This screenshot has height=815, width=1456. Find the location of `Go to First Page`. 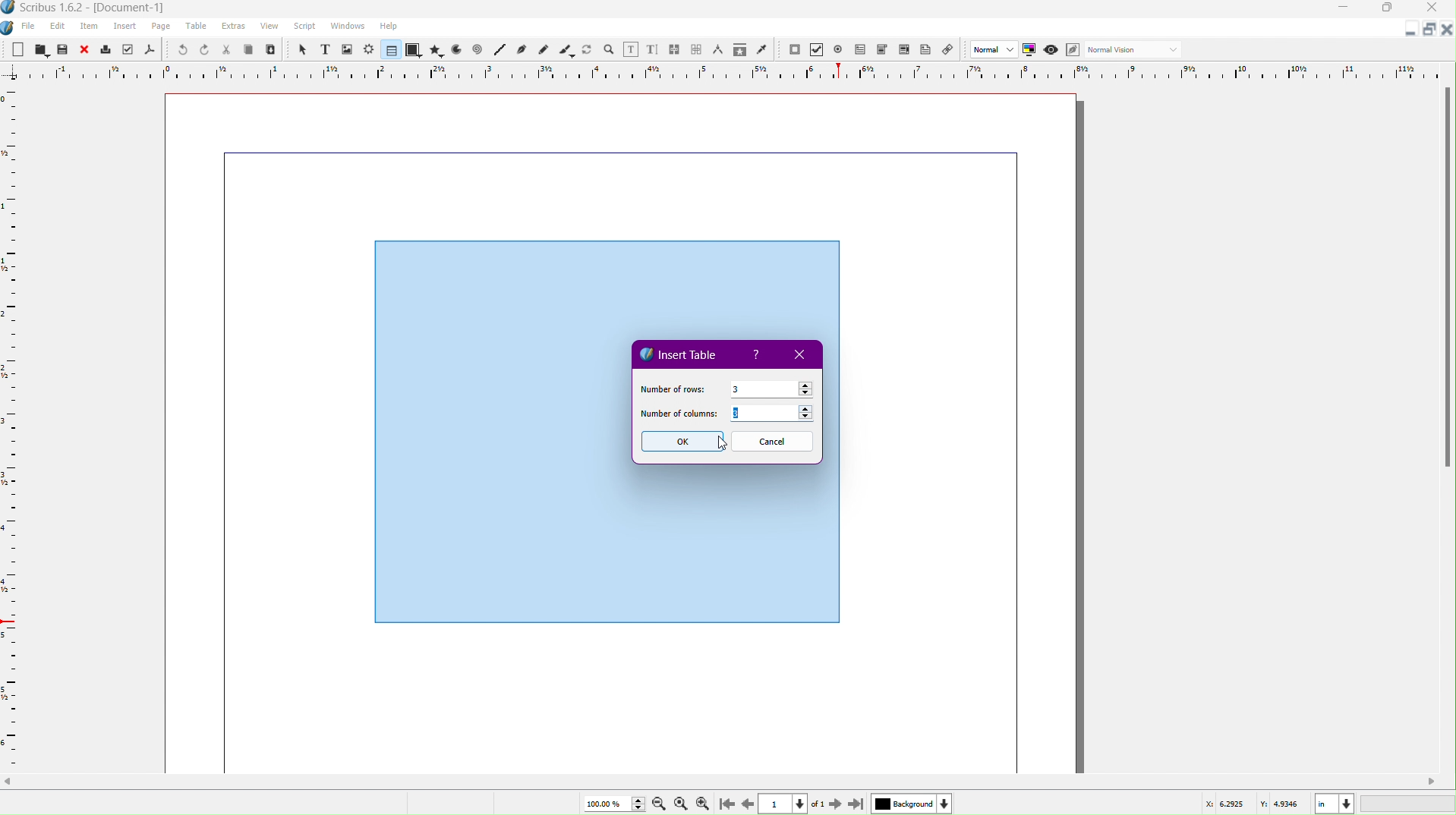

Go to First Page is located at coordinates (730, 803).